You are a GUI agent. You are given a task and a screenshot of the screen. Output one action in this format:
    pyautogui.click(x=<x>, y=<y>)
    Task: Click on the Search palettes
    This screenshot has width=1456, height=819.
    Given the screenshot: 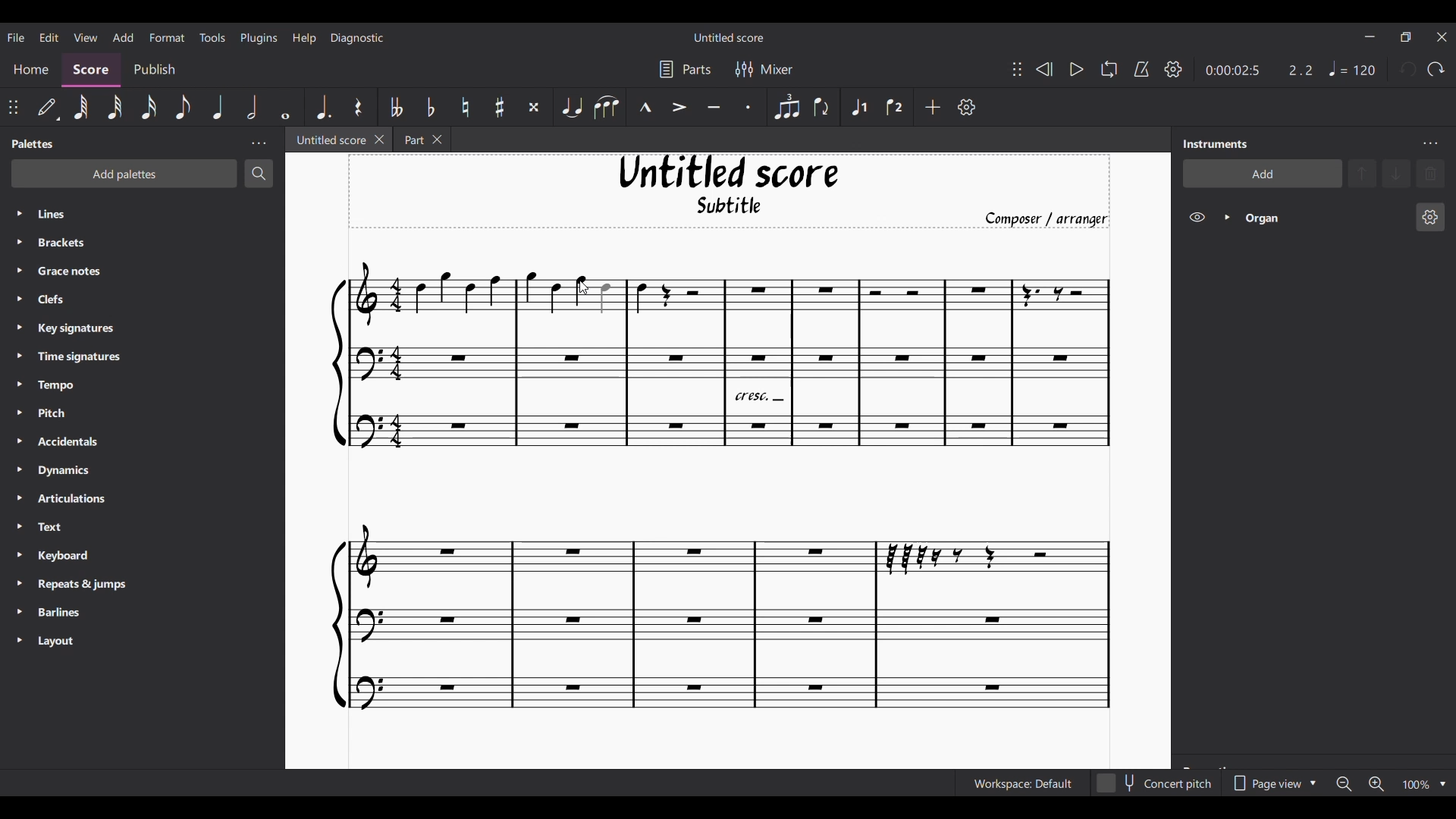 What is the action you would take?
    pyautogui.click(x=259, y=174)
    